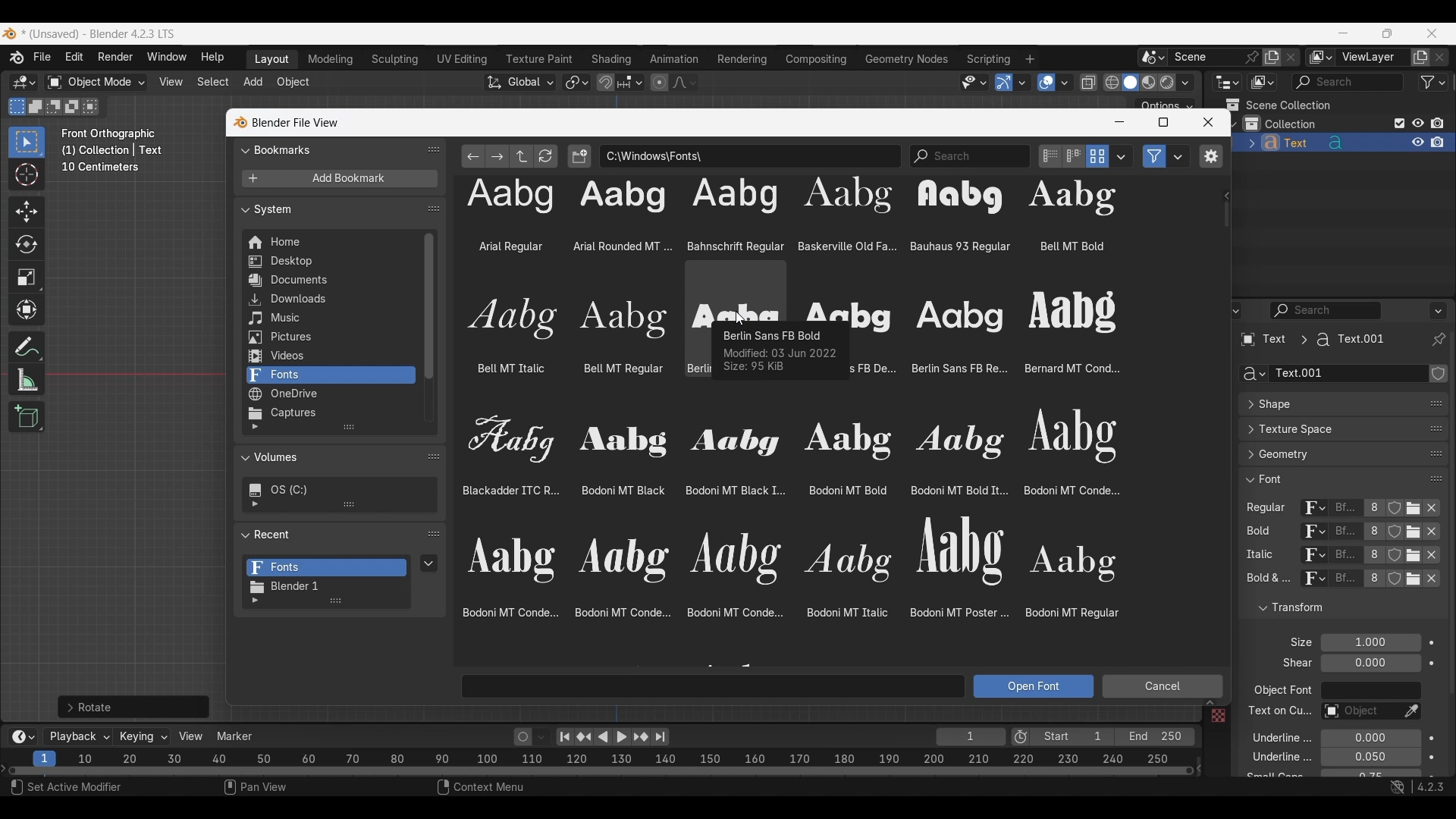  I want to click on Browse ID data to be linked for respective attribute, so click(1314, 509).